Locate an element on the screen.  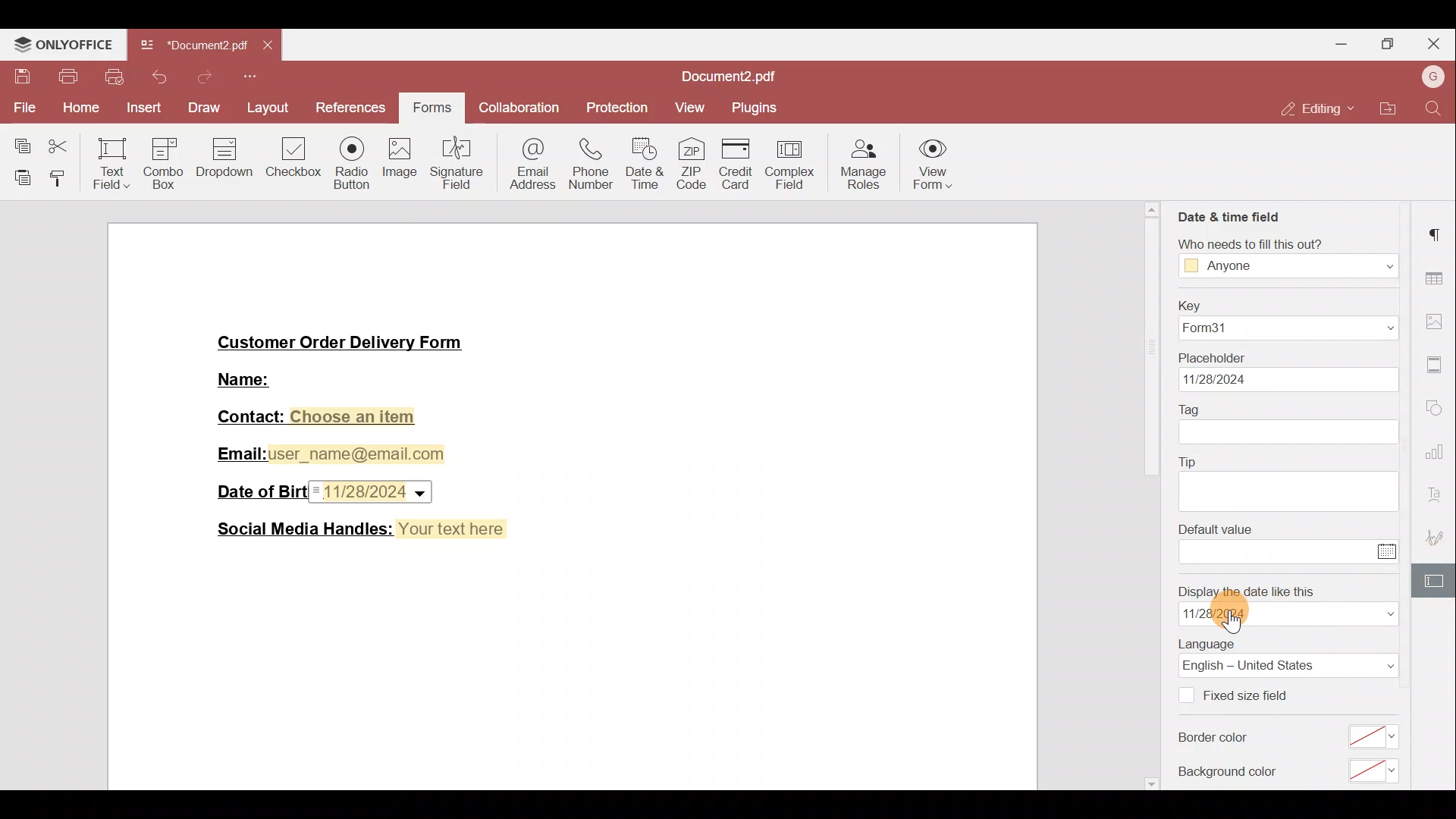
Paste is located at coordinates (18, 174).